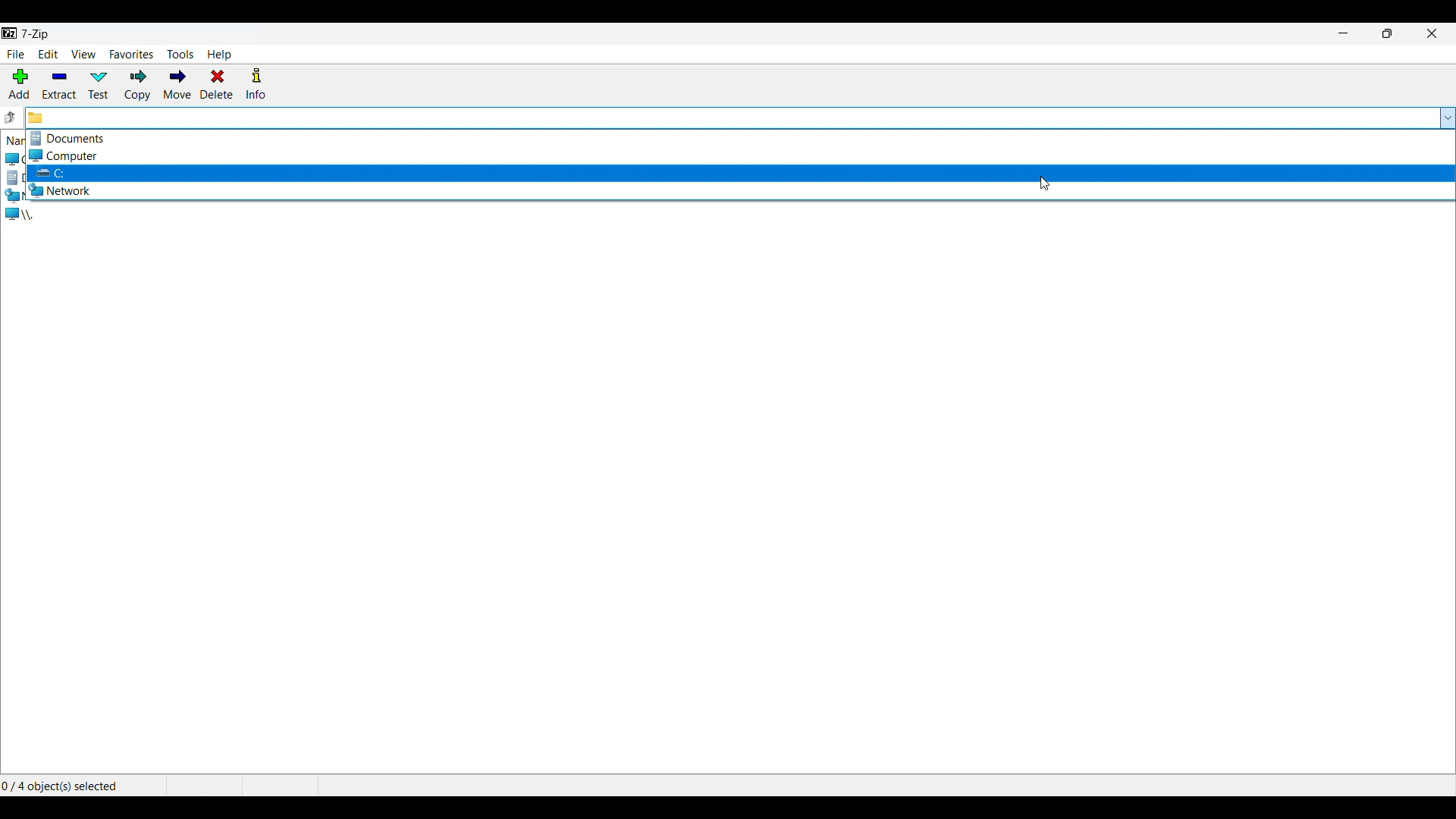 This screenshot has height=819, width=1456. I want to click on Delete, so click(217, 84).